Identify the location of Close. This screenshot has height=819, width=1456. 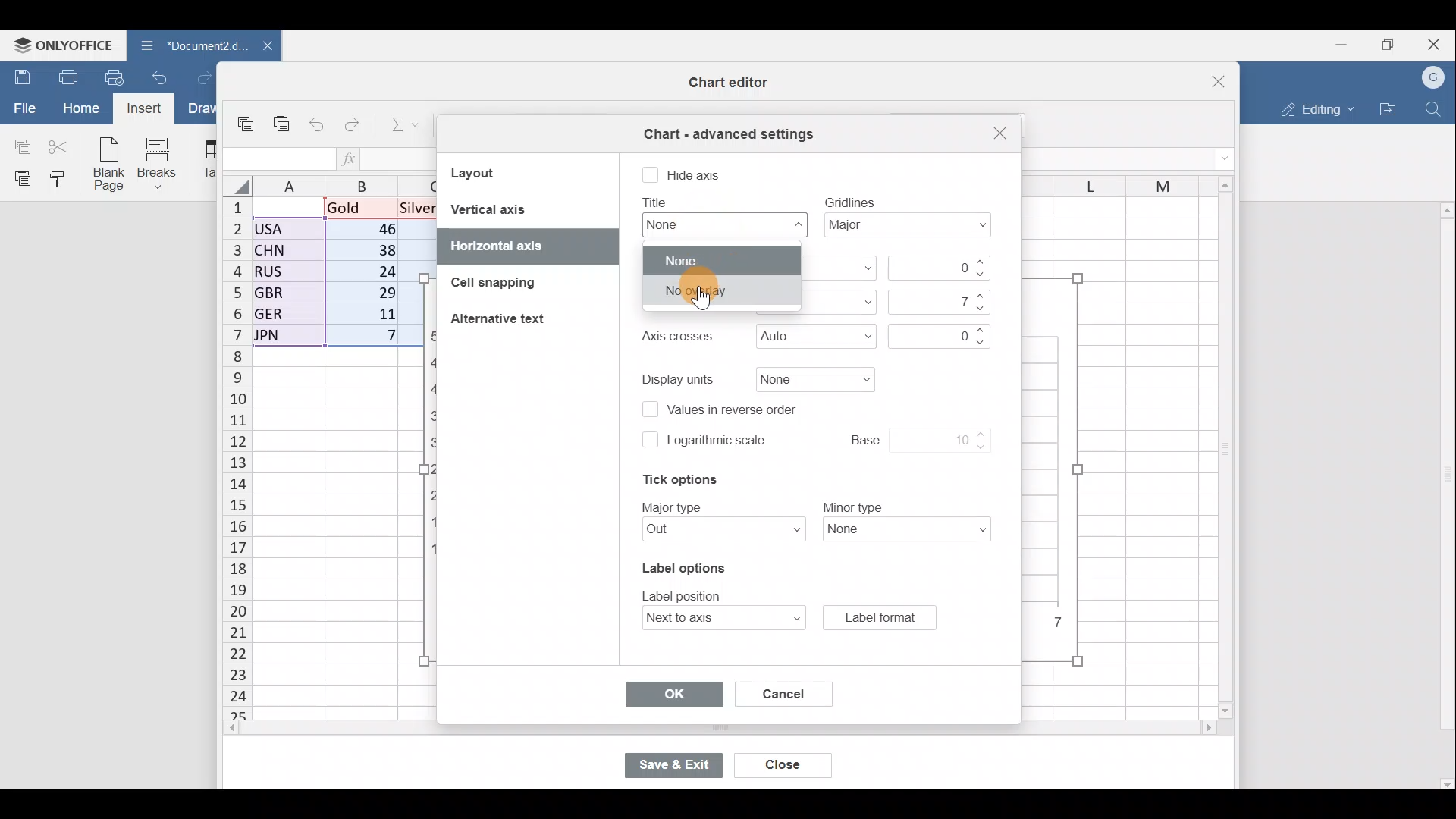
(773, 761).